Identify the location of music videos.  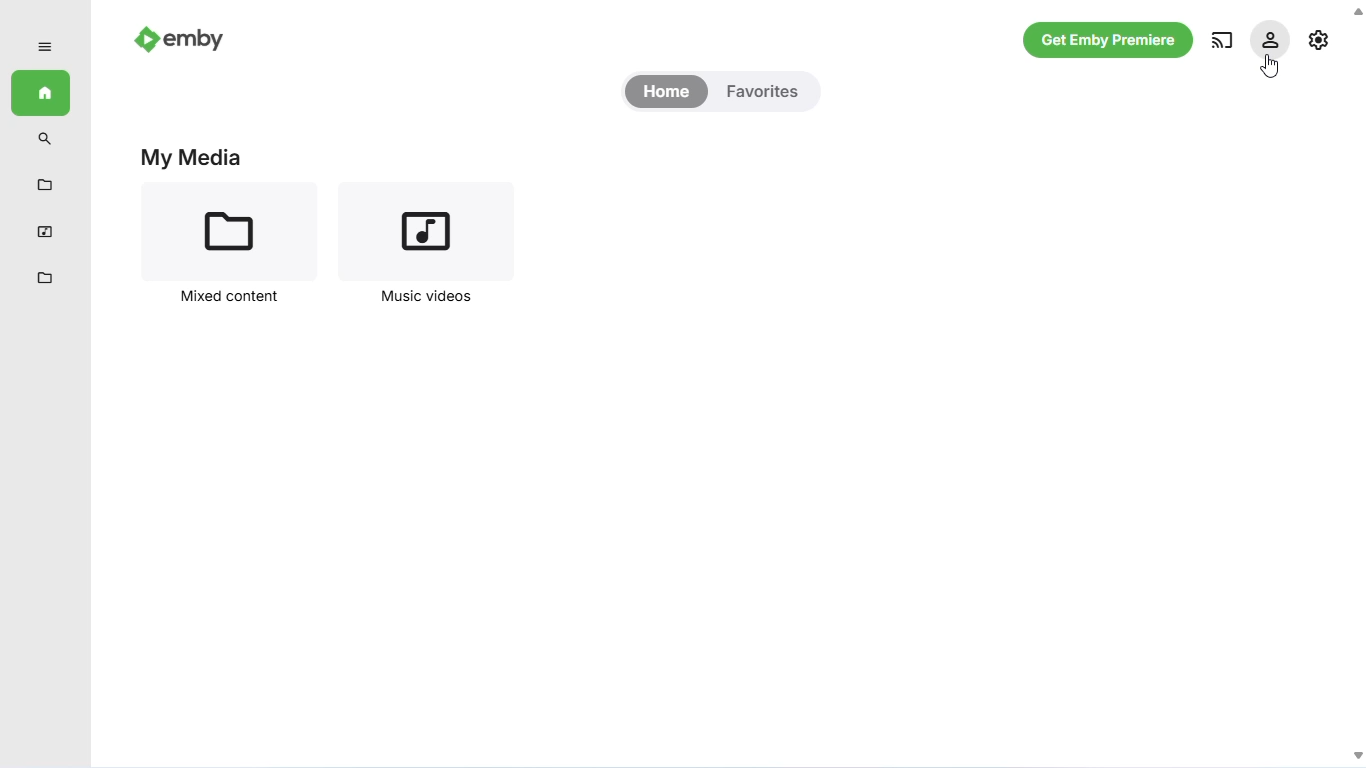
(45, 231).